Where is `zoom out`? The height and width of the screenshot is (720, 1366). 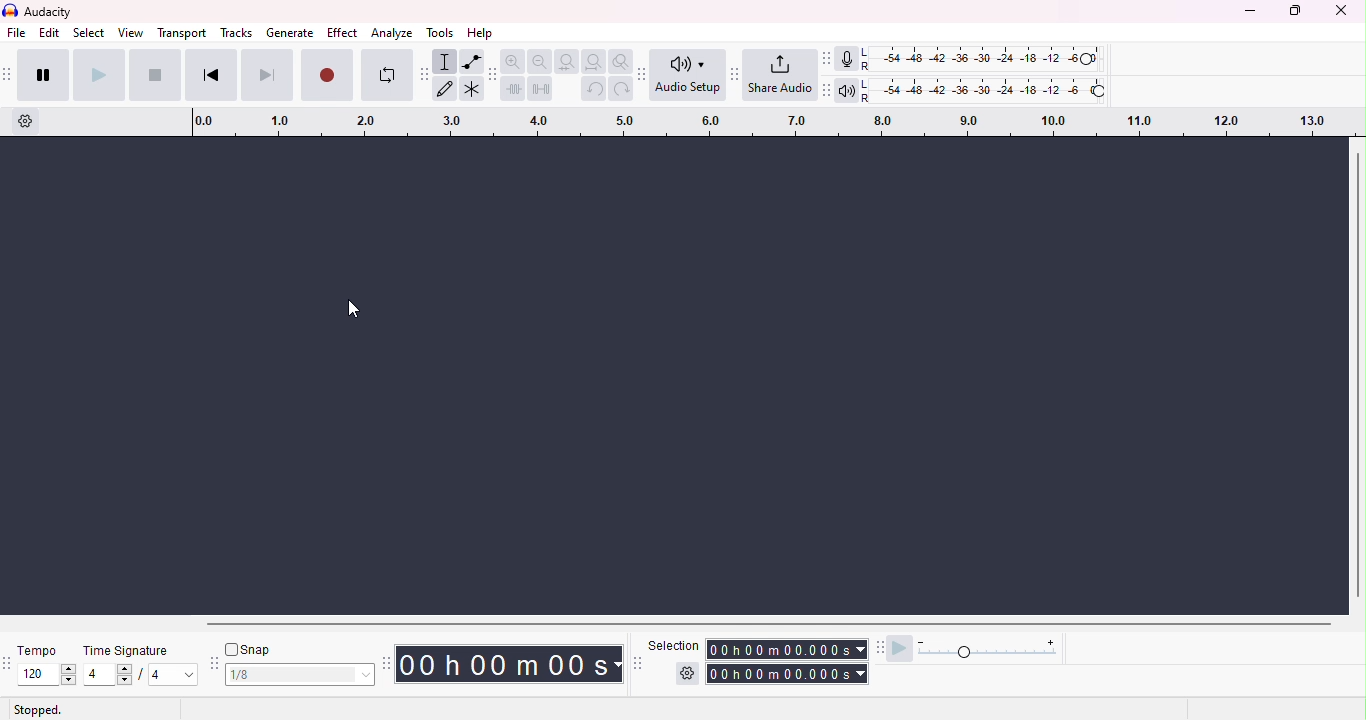 zoom out is located at coordinates (542, 62).